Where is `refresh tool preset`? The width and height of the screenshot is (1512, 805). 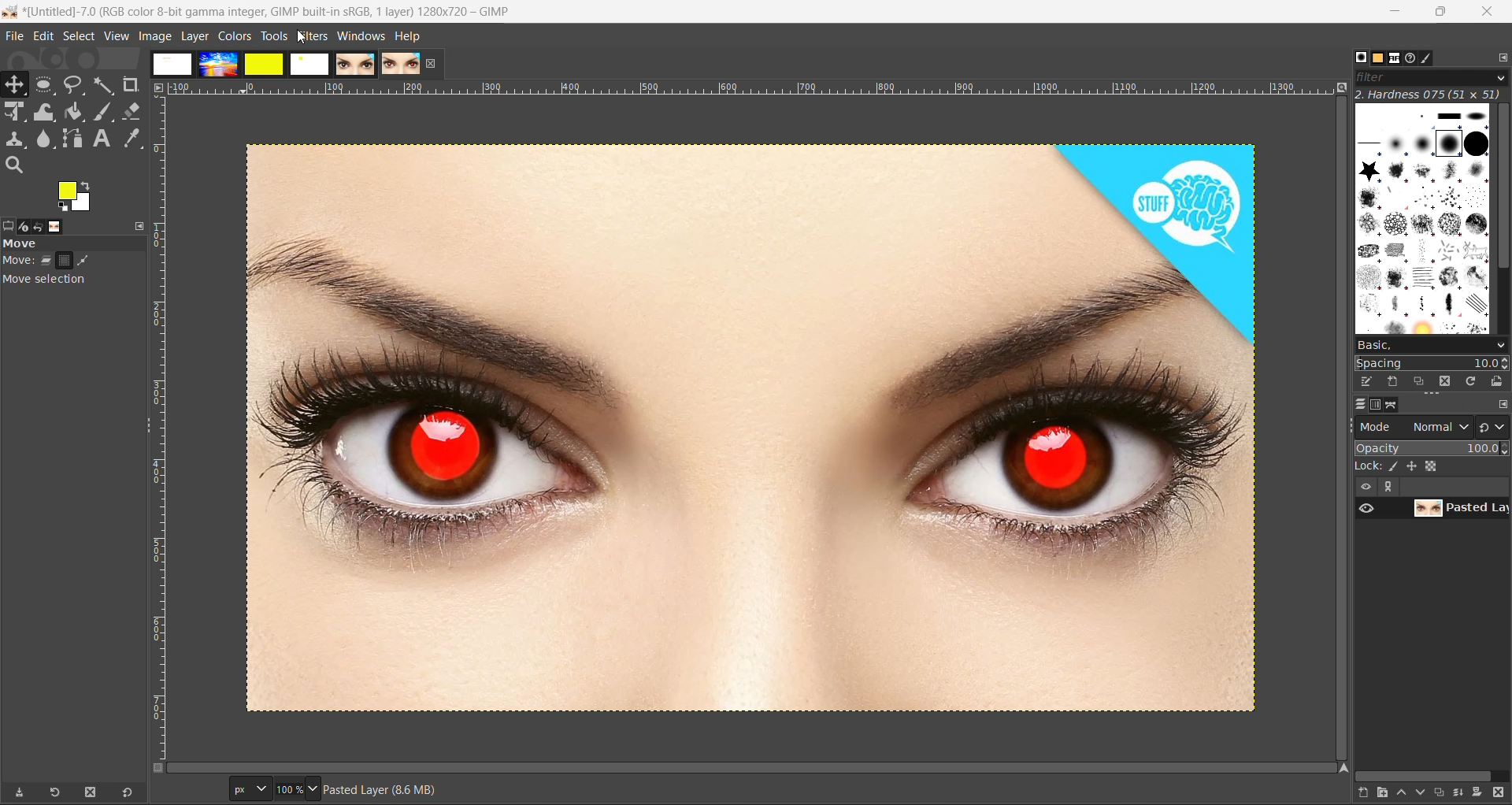 refresh tool preset is located at coordinates (53, 793).